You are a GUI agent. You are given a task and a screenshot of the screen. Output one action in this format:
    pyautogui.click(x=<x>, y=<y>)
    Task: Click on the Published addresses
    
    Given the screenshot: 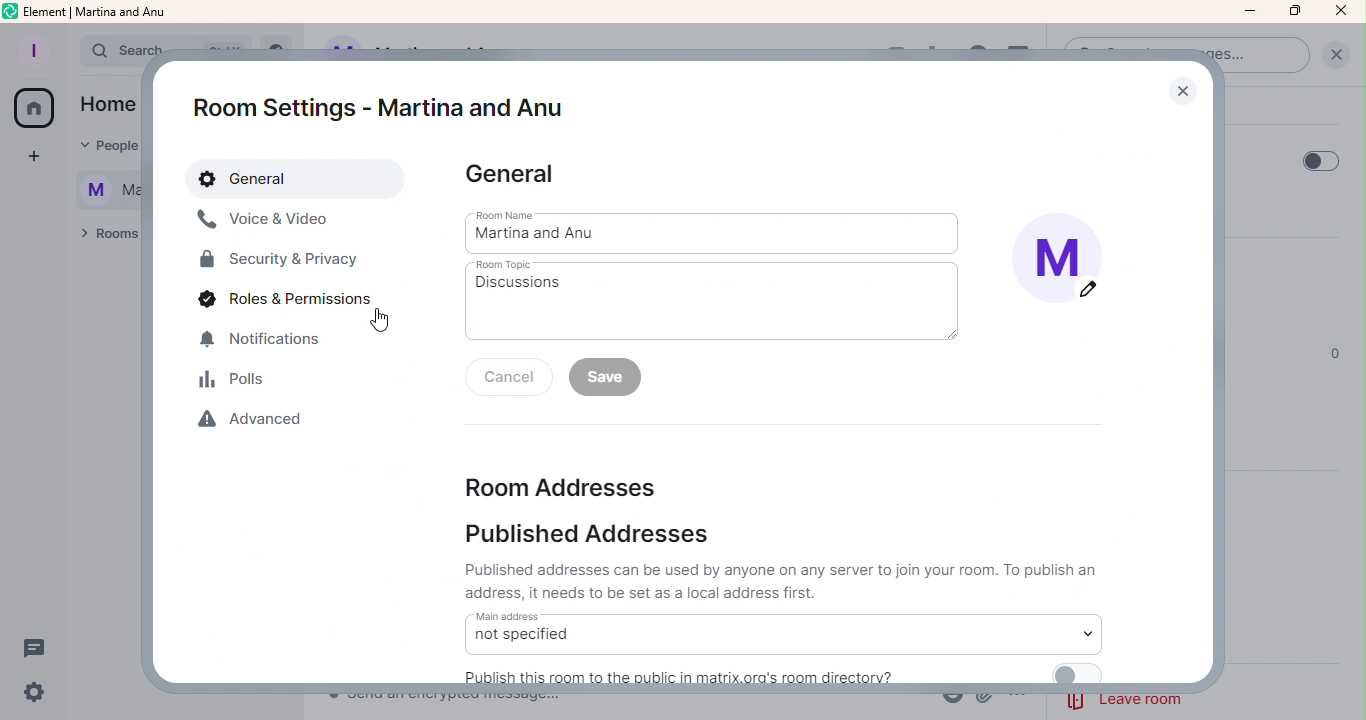 What is the action you would take?
    pyautogui.click(x=780, y=565)
    